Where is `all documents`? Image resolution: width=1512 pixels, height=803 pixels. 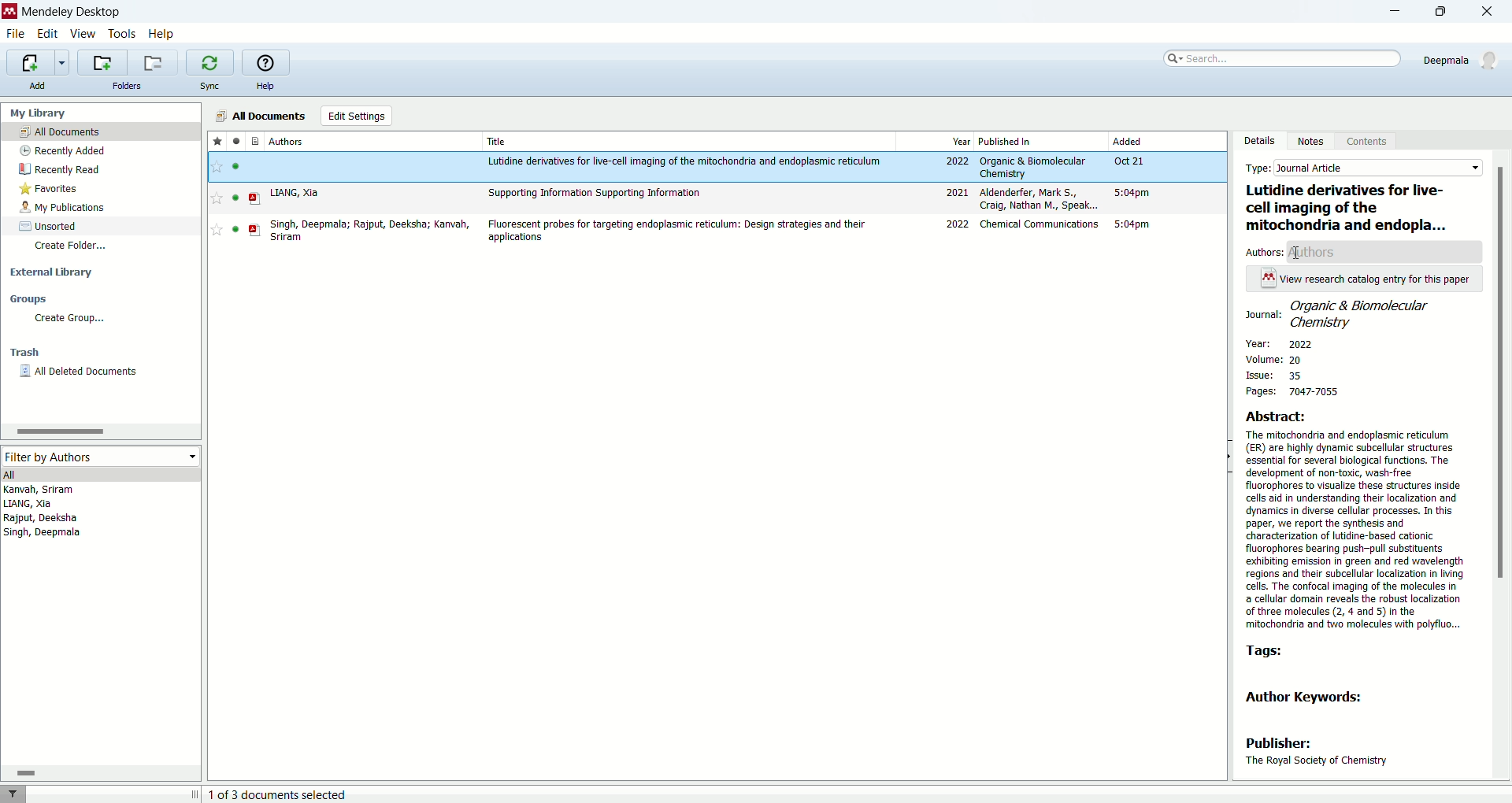 all documents is located at coordinates (103, 133).